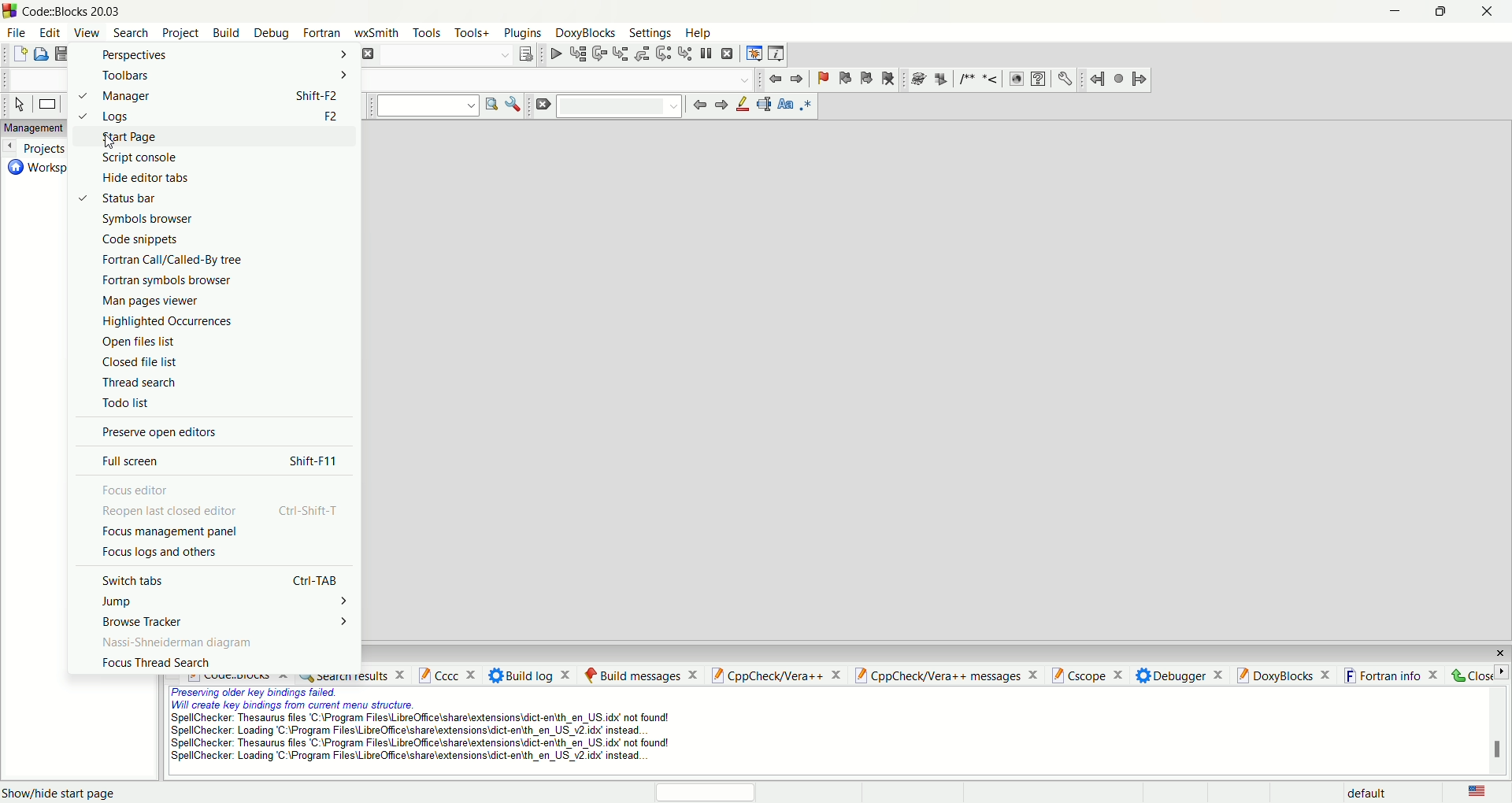 The width and height of the screenshot is (1512, 803). Describe the element at coordinates (643, 54) in the screenshot. I see `step out` at that location.